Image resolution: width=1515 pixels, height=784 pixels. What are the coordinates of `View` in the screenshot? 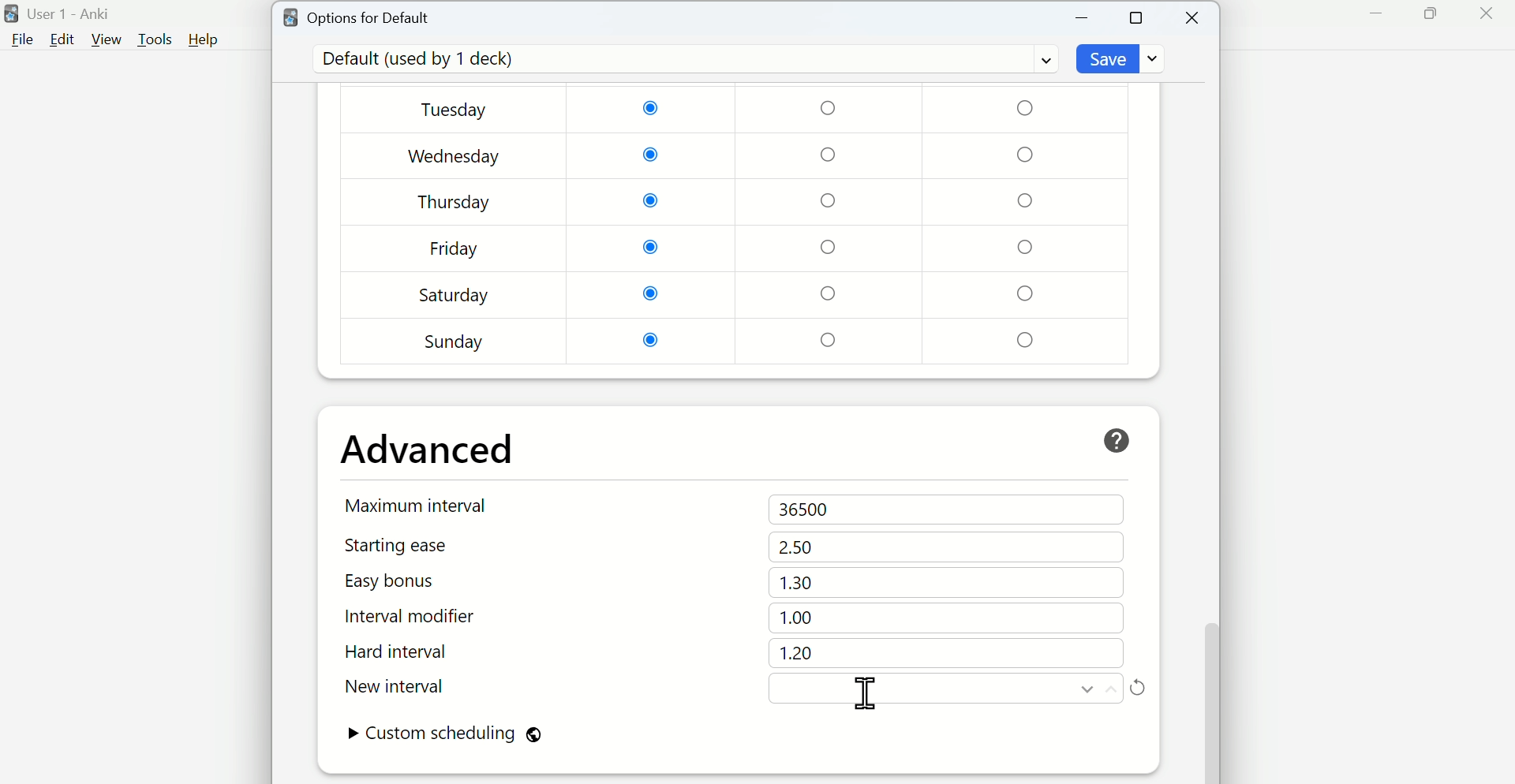 It's located at (107, 39).